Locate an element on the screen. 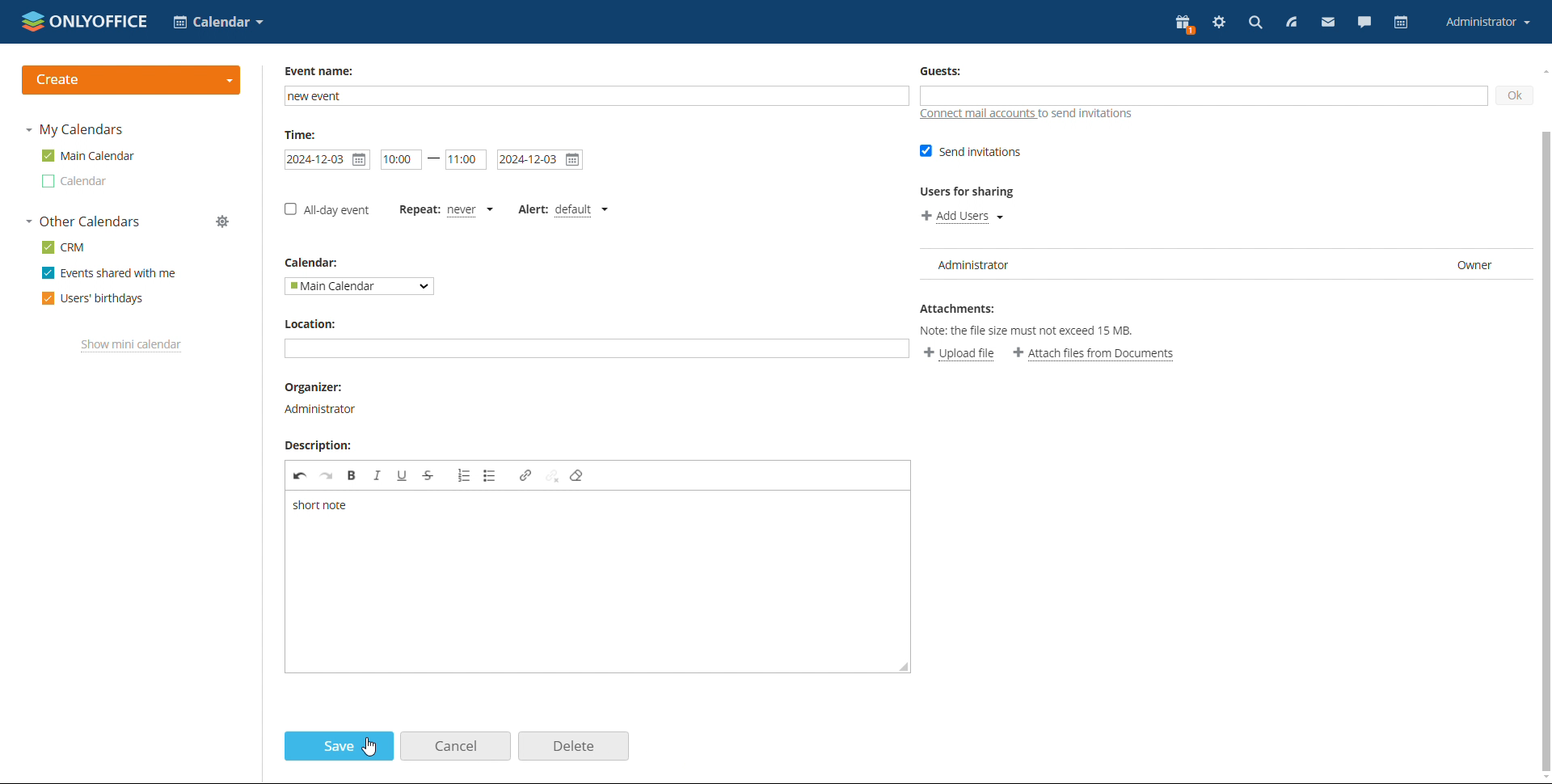  Calendar: is located at coordinates (310, 263).